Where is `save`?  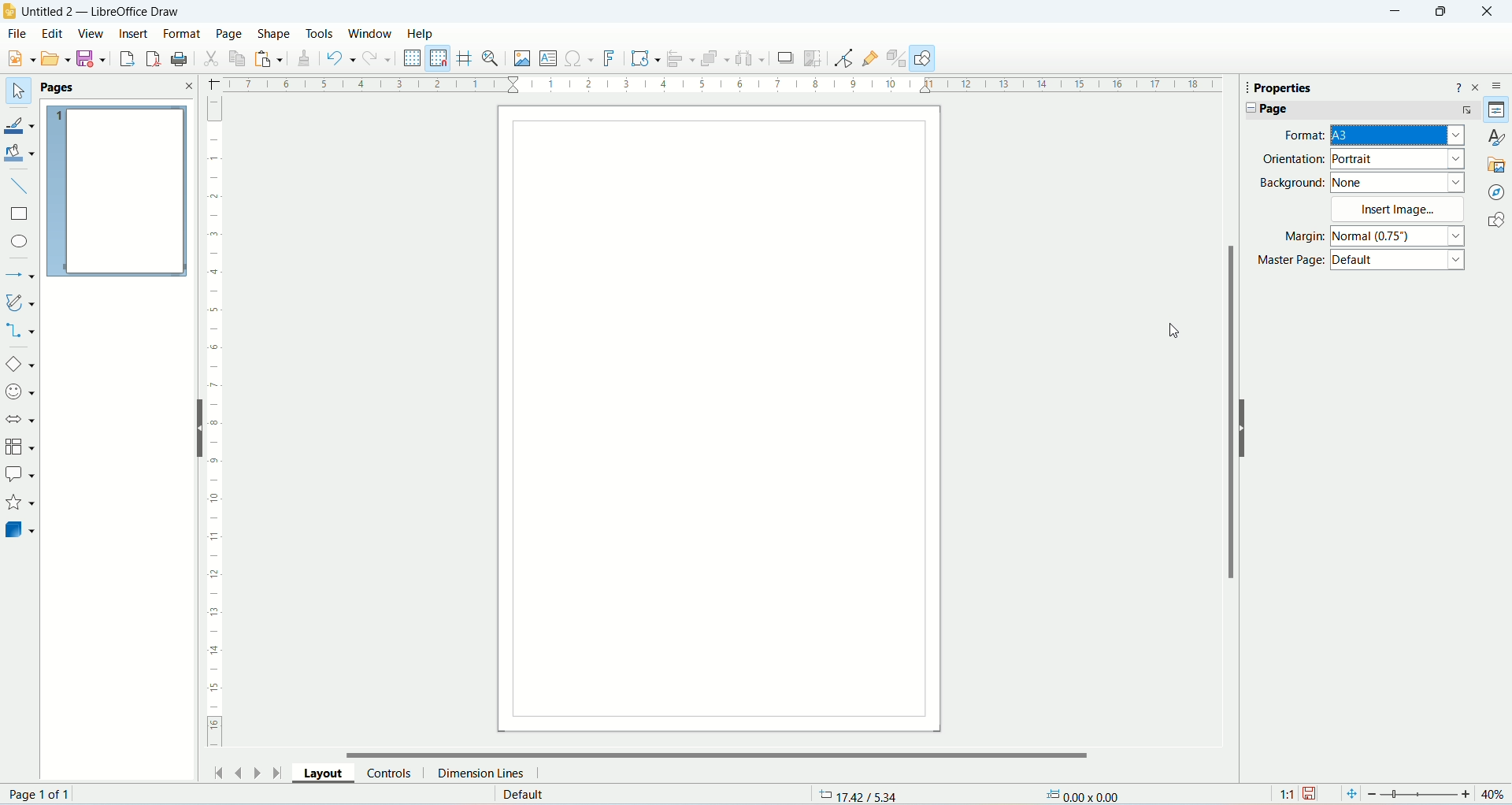
save is located at coordinates (1310, 792).